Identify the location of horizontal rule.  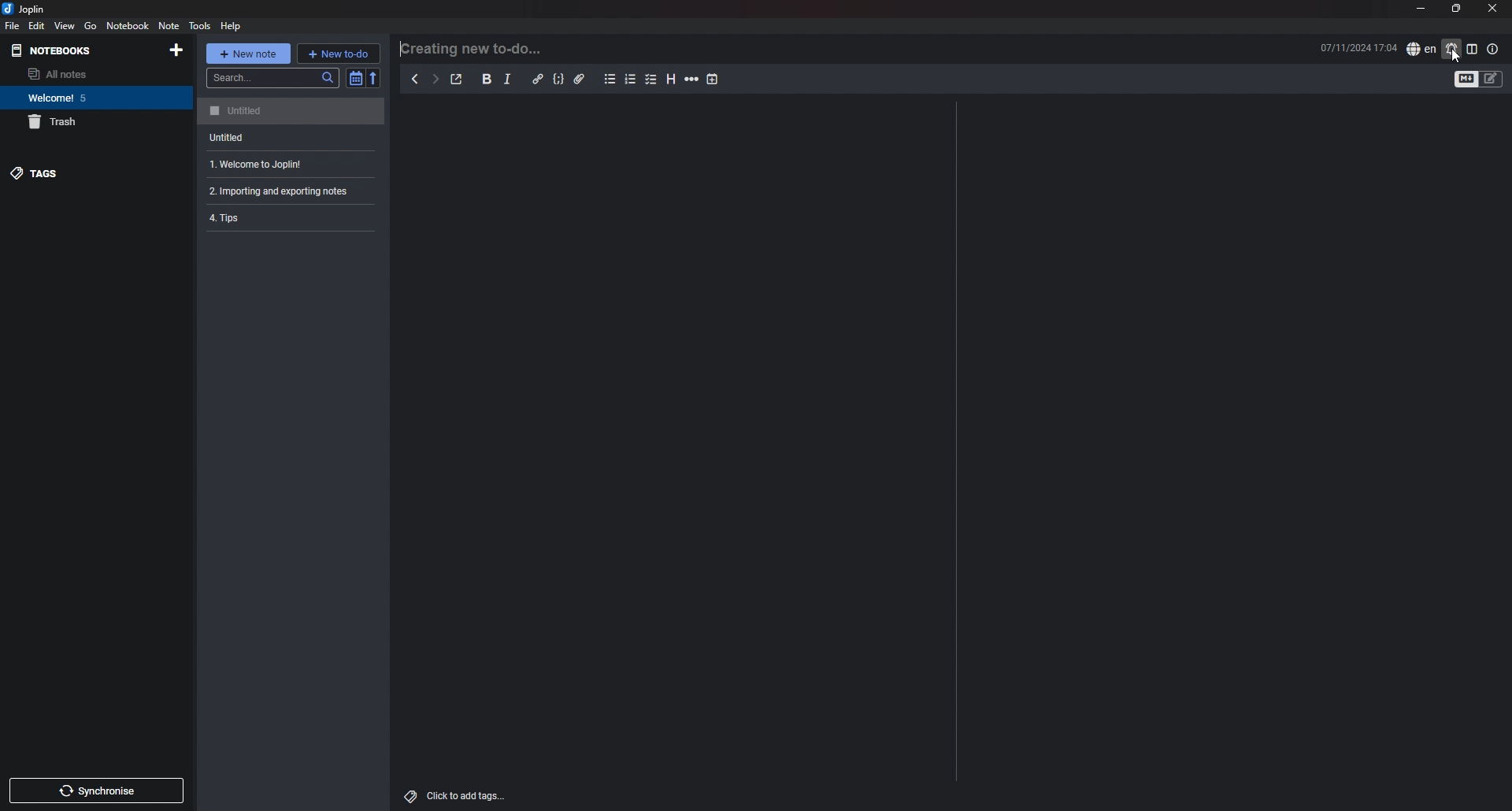
(693, 79).